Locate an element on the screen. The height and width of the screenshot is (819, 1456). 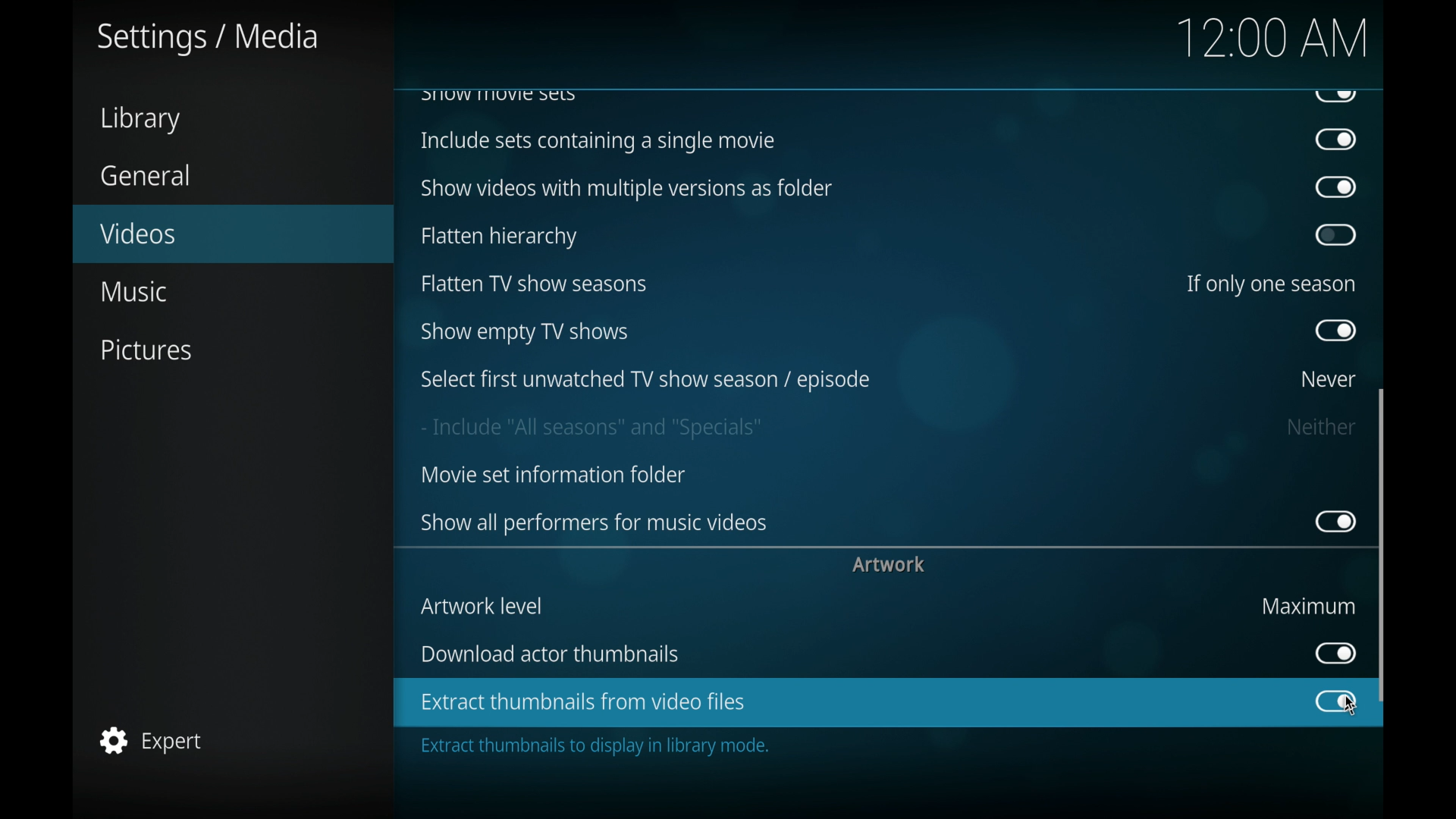
artwork level is located at coordinates (481, 606).